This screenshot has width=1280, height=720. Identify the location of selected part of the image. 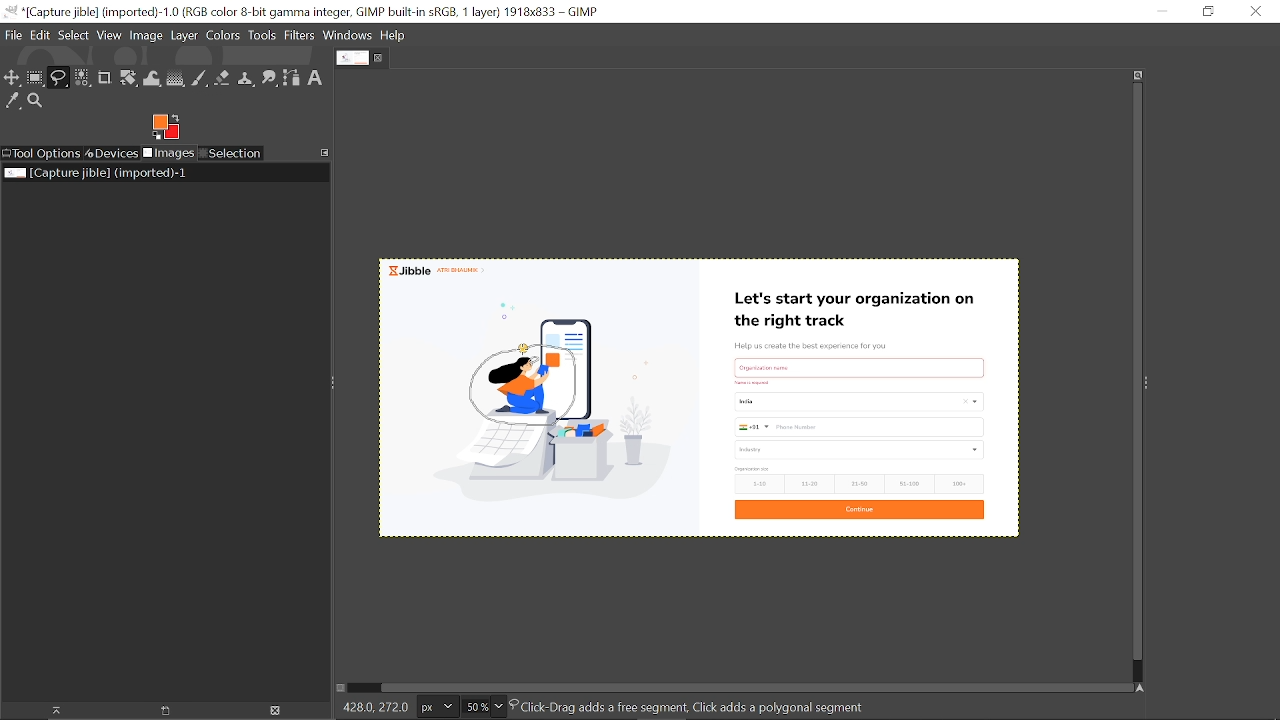
(527, 387).